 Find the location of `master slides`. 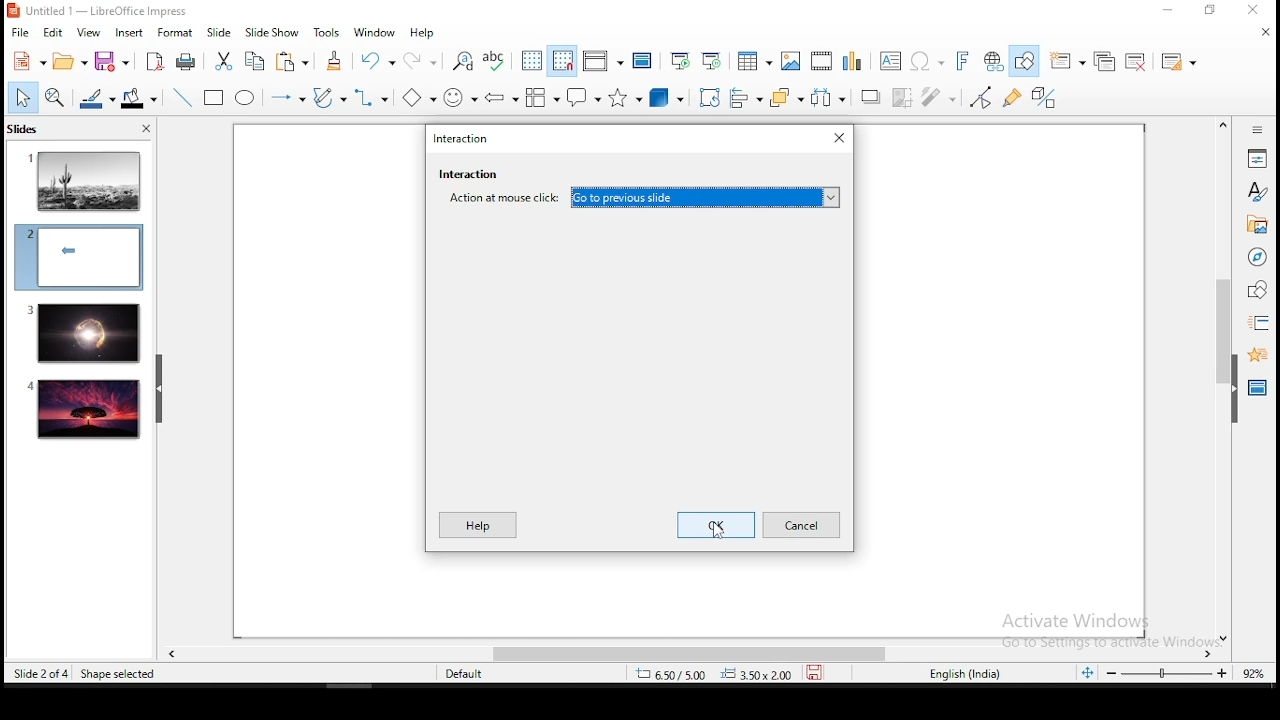

master slides is located at coordinates (1259, 386).